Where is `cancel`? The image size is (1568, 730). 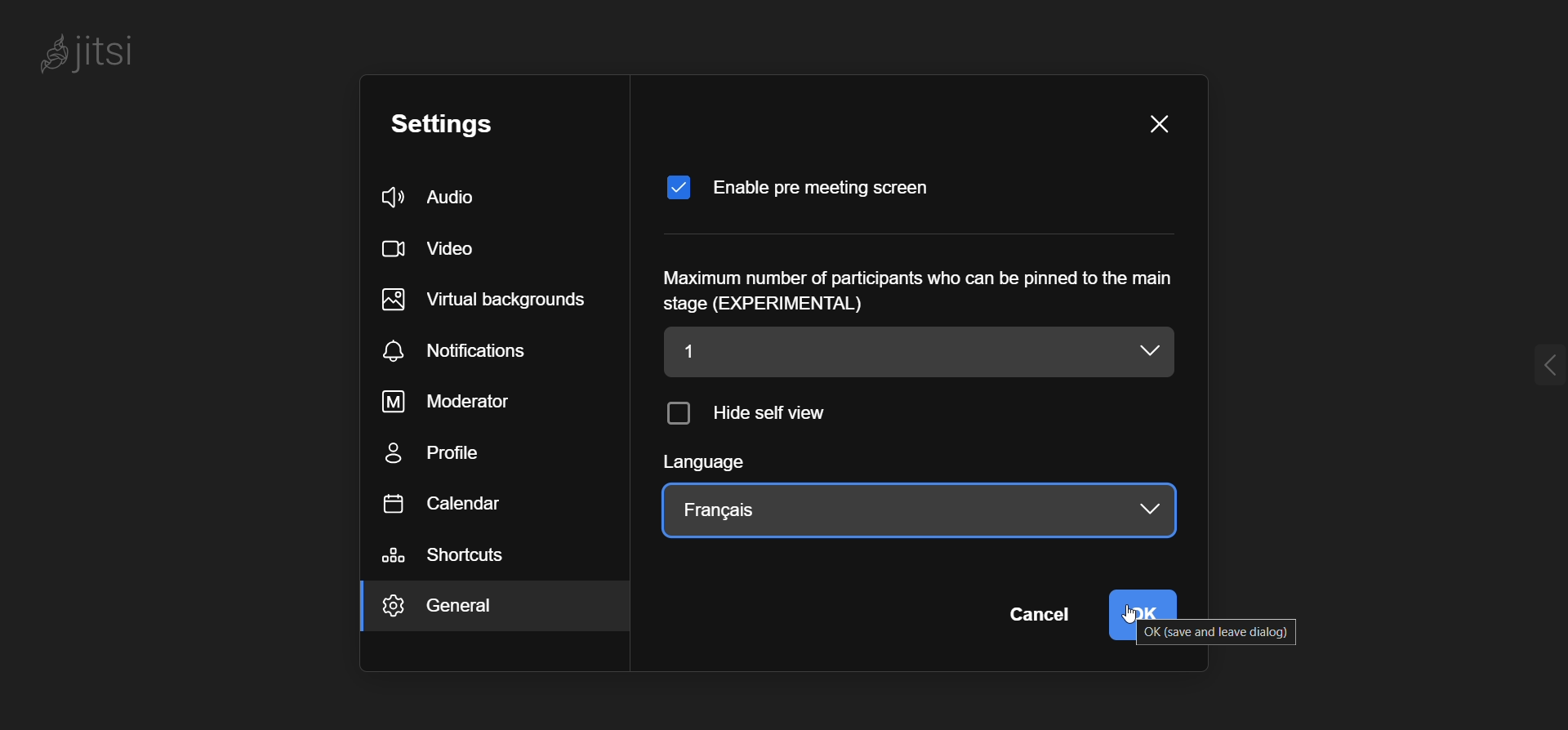 cancel is located at coordinates (1037, 616).